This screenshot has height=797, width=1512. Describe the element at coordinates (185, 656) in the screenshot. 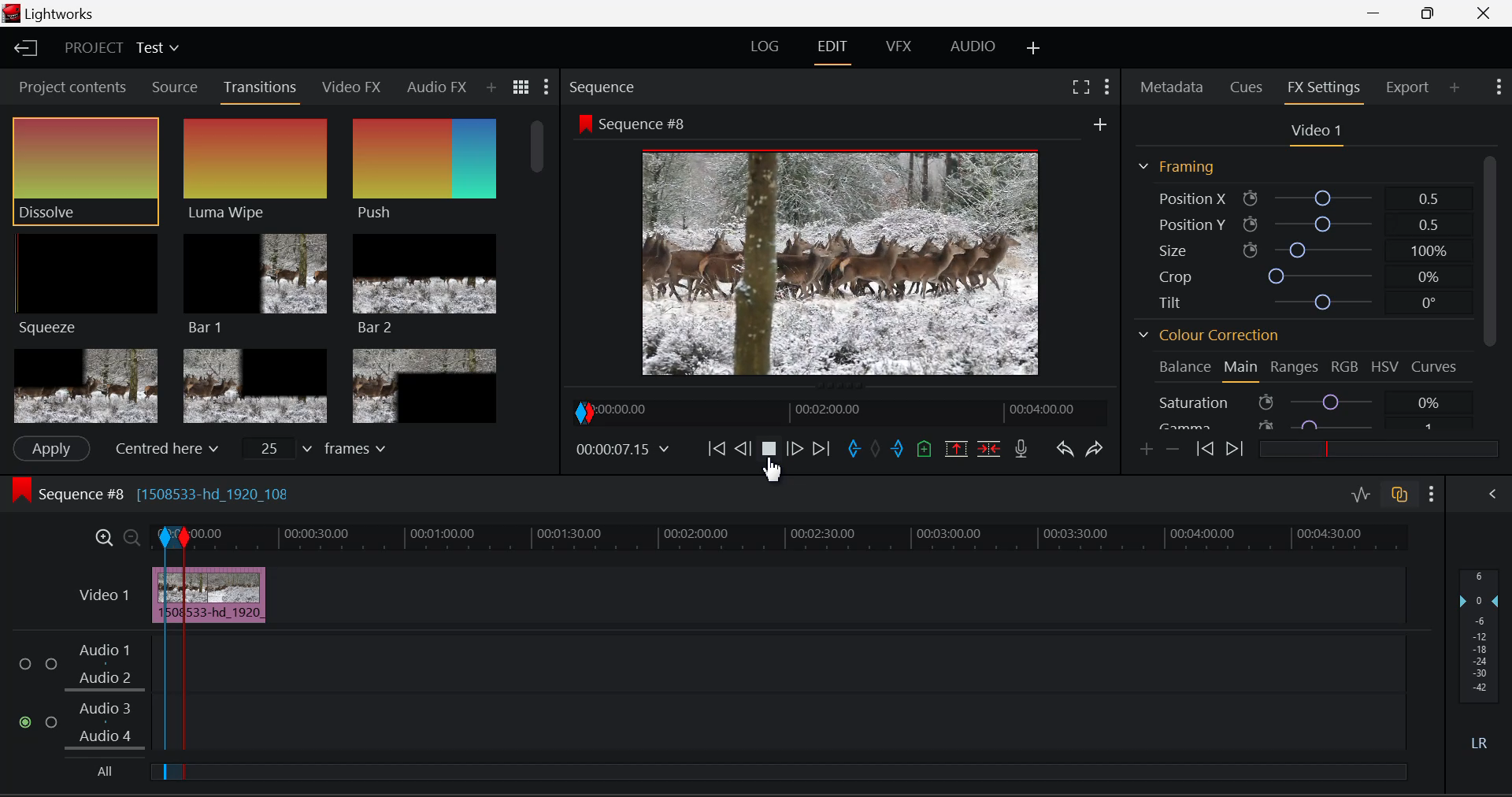

I see `Mark Out Point` at that location.